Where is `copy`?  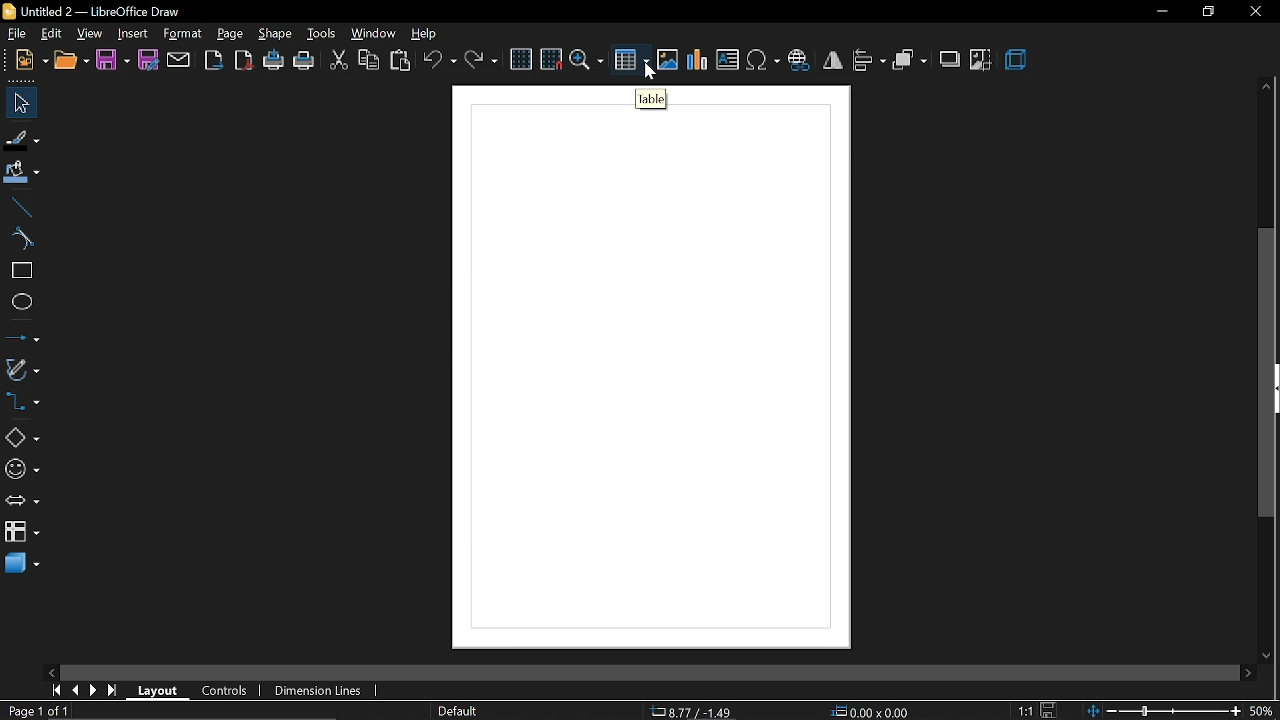 copy is located at coordinates (370, 60).